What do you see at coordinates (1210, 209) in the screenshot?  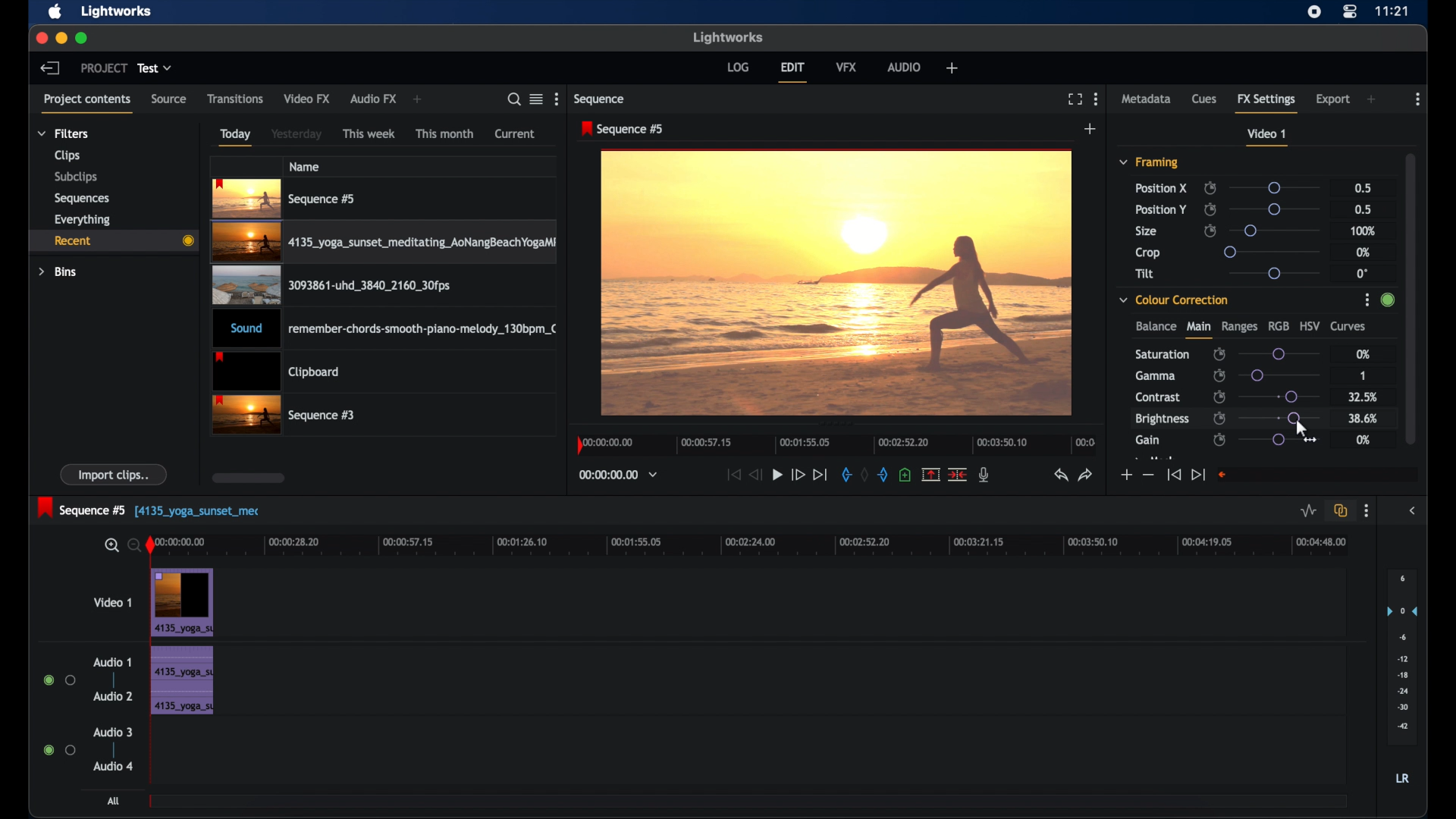 I see `enable/disable keyframes` at bounding box center [1210, 209].